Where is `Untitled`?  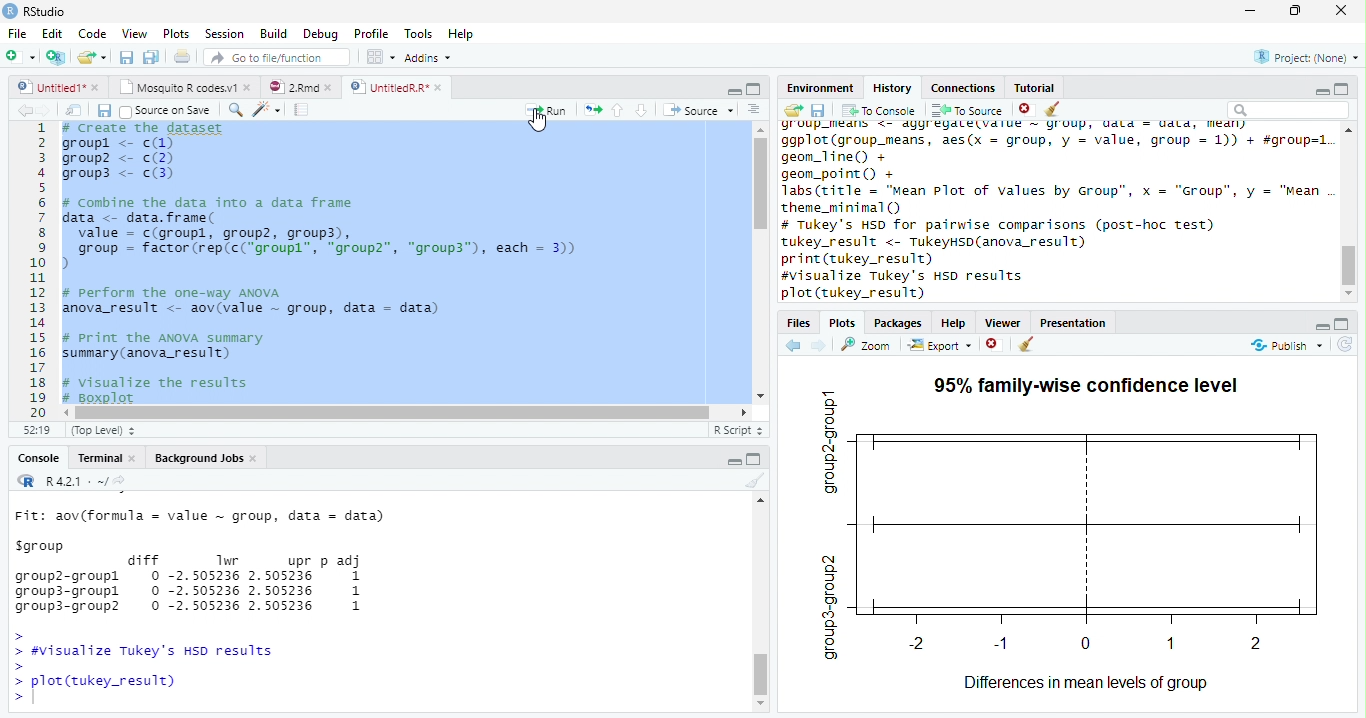 Untitled is located at coordinates (59, 87).